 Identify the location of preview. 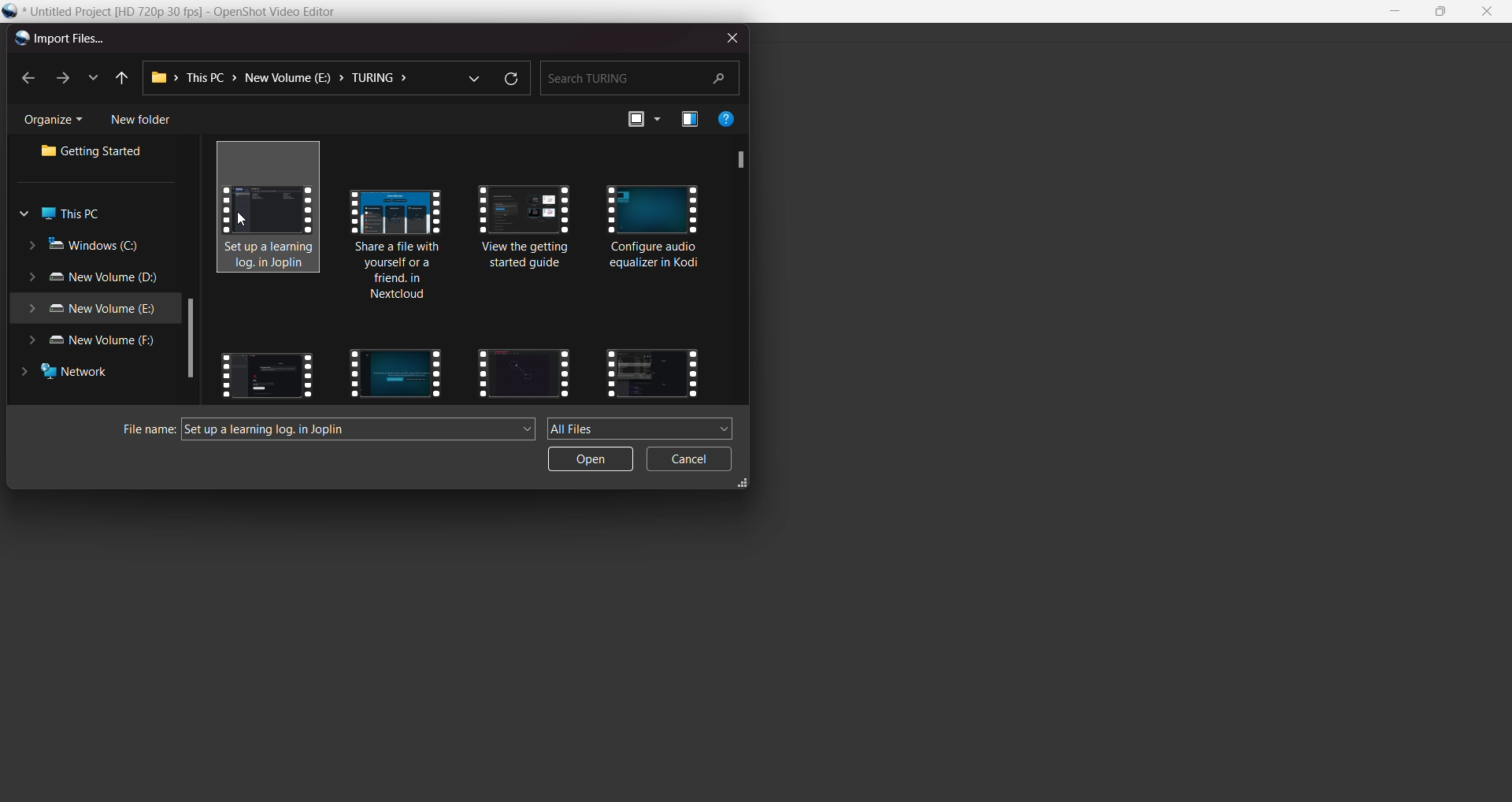
(690, 121).